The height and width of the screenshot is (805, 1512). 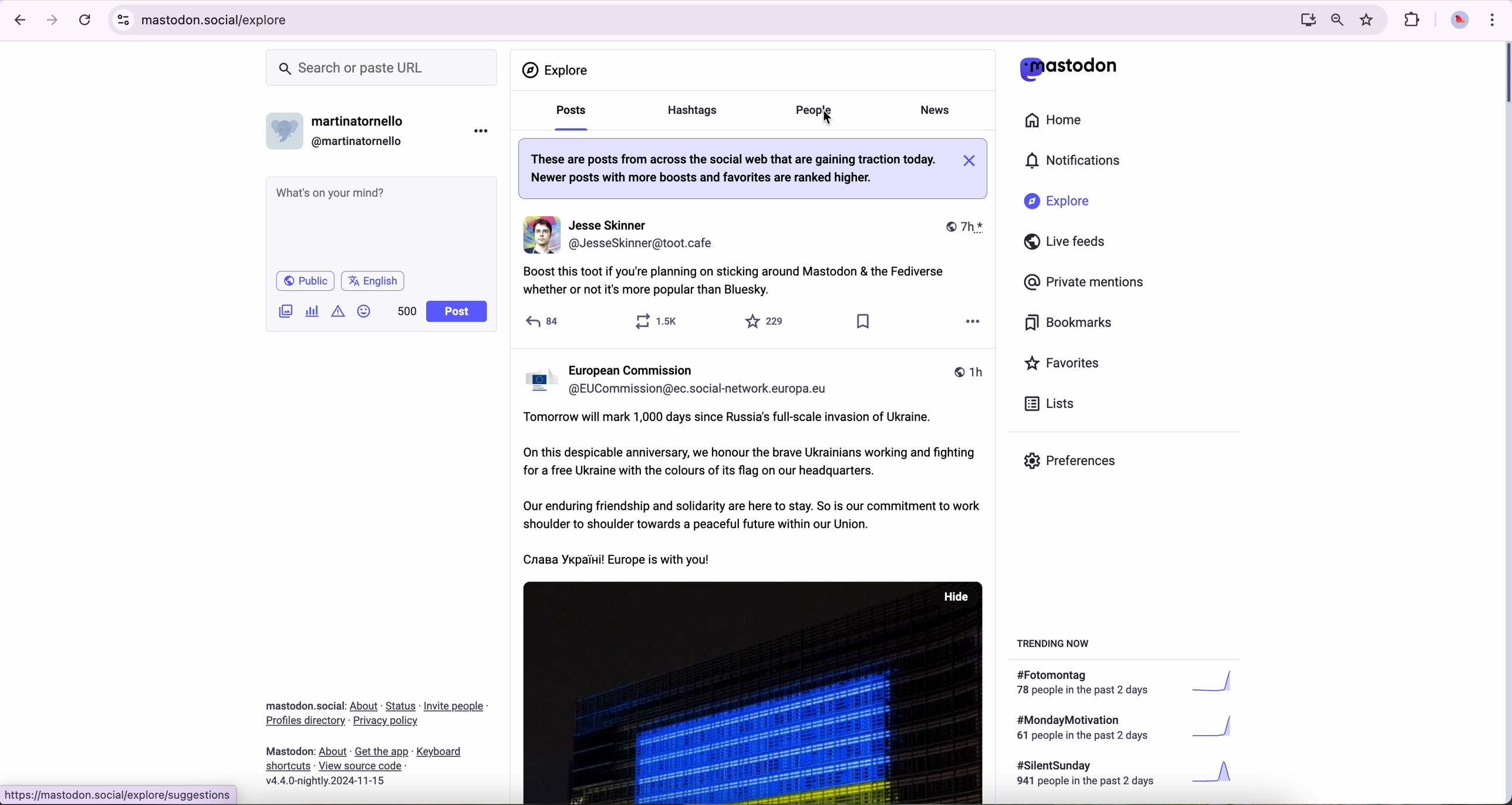 What do you see at coordinates (968, 373) in the screenshot?
I see `11h` at bounding box center [968, 373].